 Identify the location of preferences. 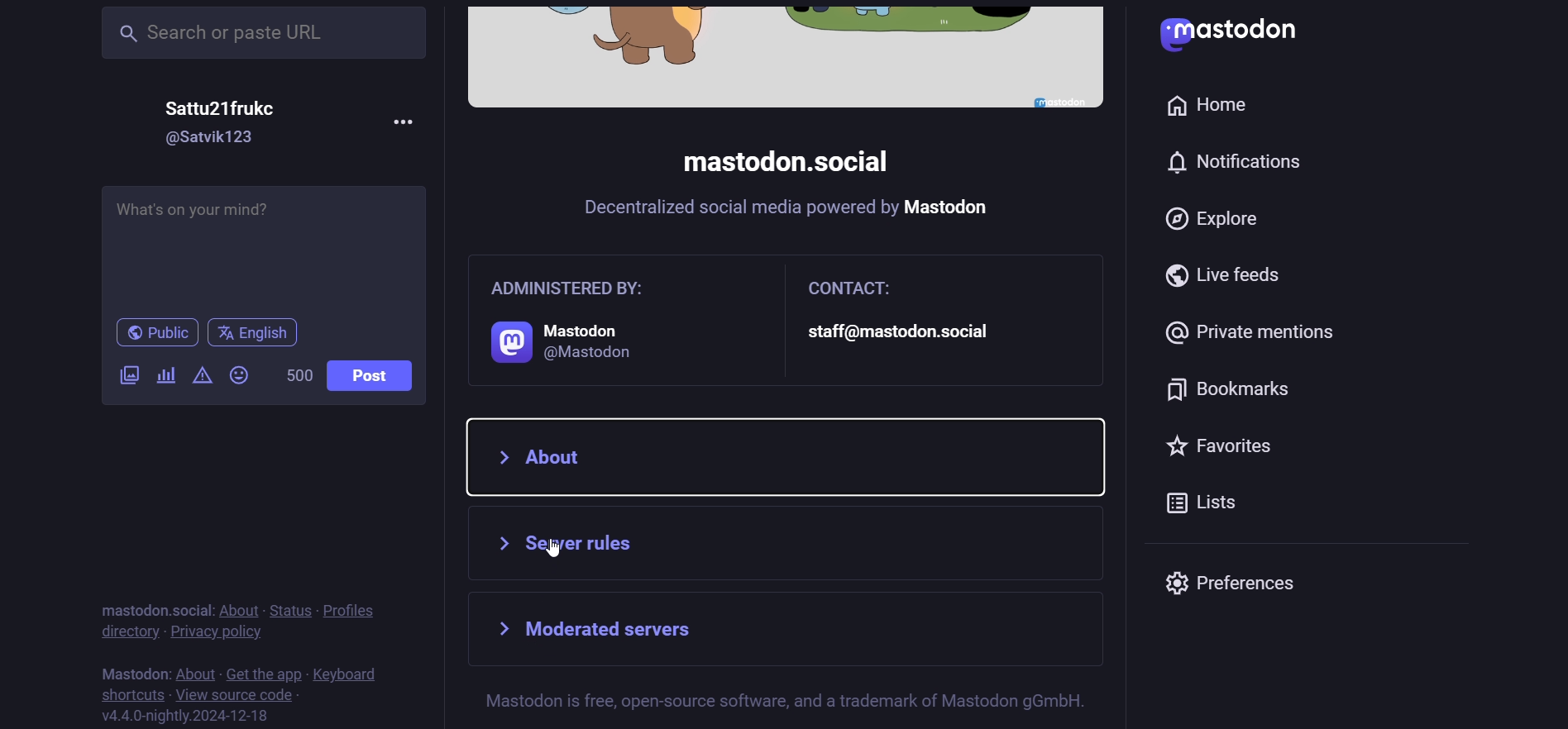
(1241, 583).